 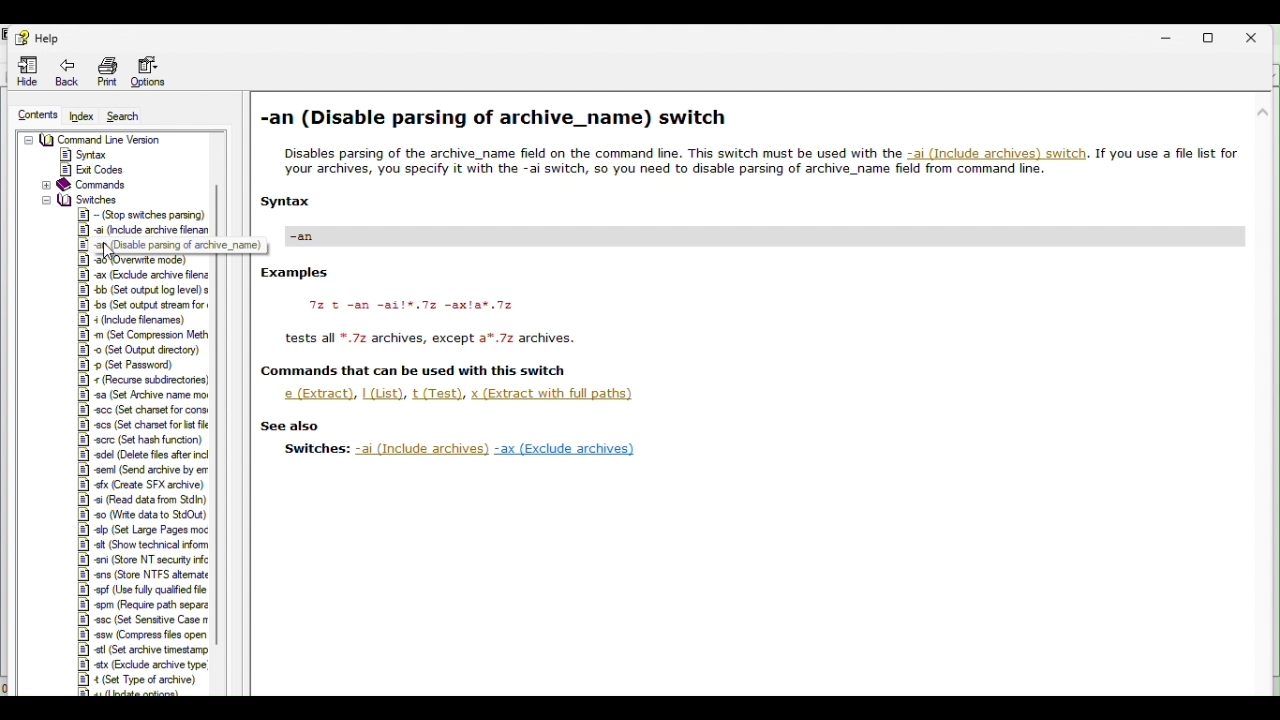 I want to click on See also, so click(x=291, y=425).